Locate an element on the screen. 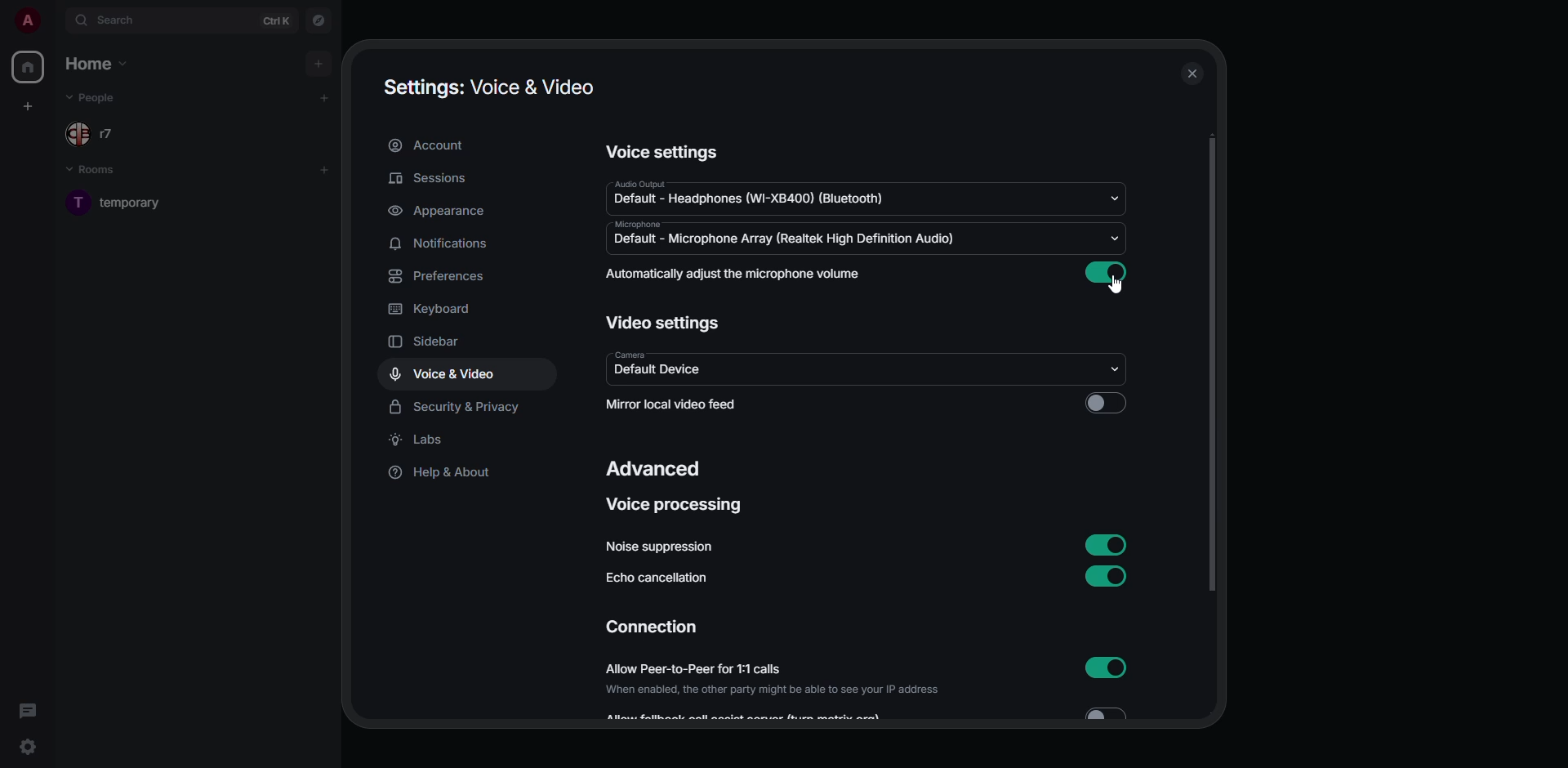  home is located at coordinates (99, 64).